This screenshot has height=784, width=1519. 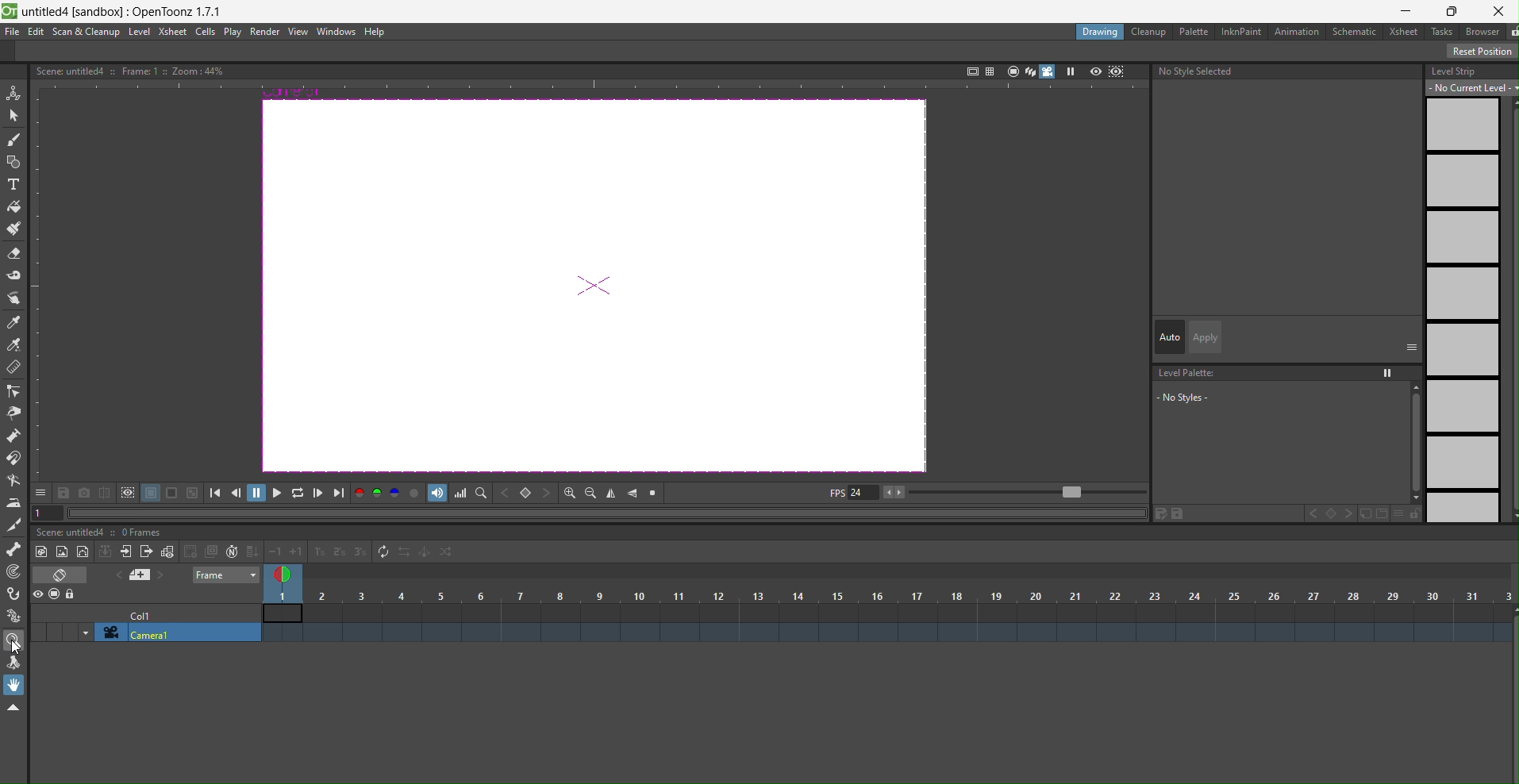 I want to click on , so click(x=395, y=493).